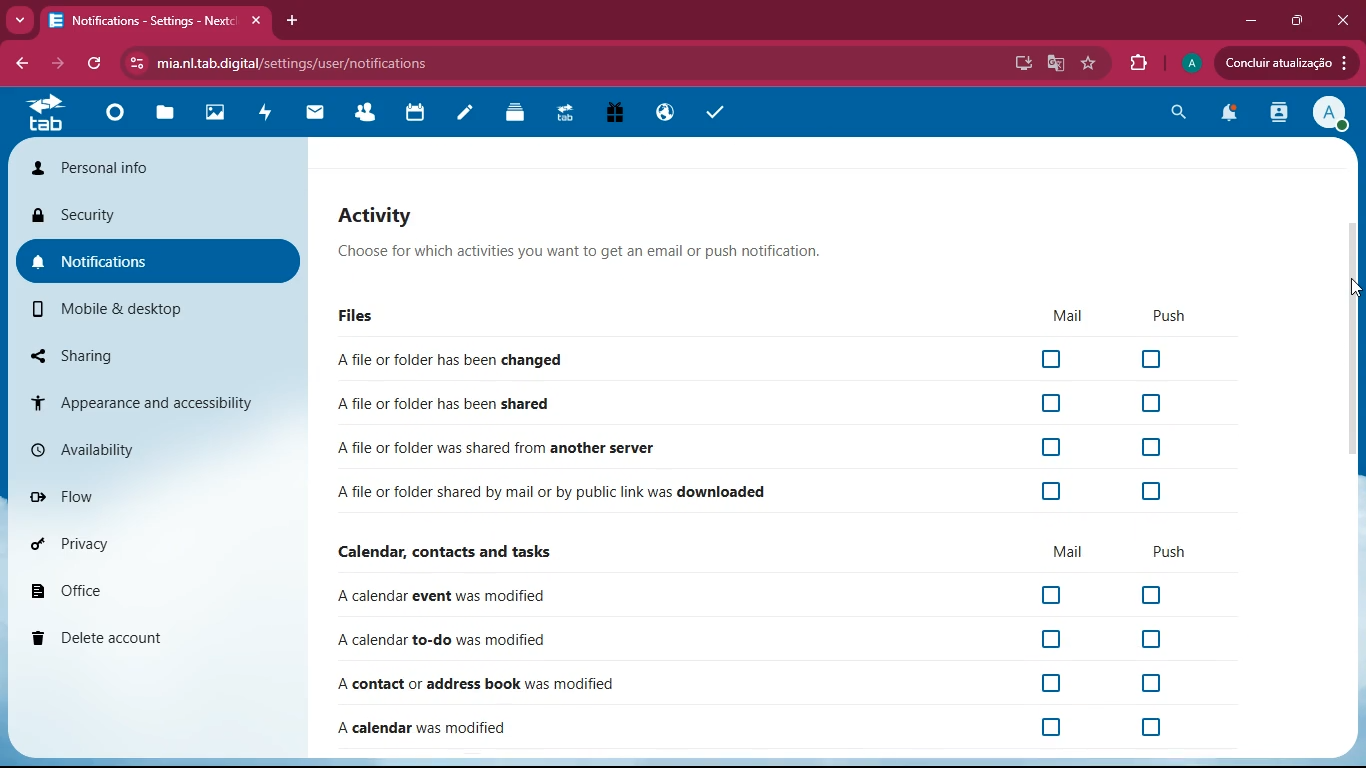 This screenshot has height=768, width=1366. Describe the element at coordinates (1154, 641) in the screenshot. I see `off` at that location.